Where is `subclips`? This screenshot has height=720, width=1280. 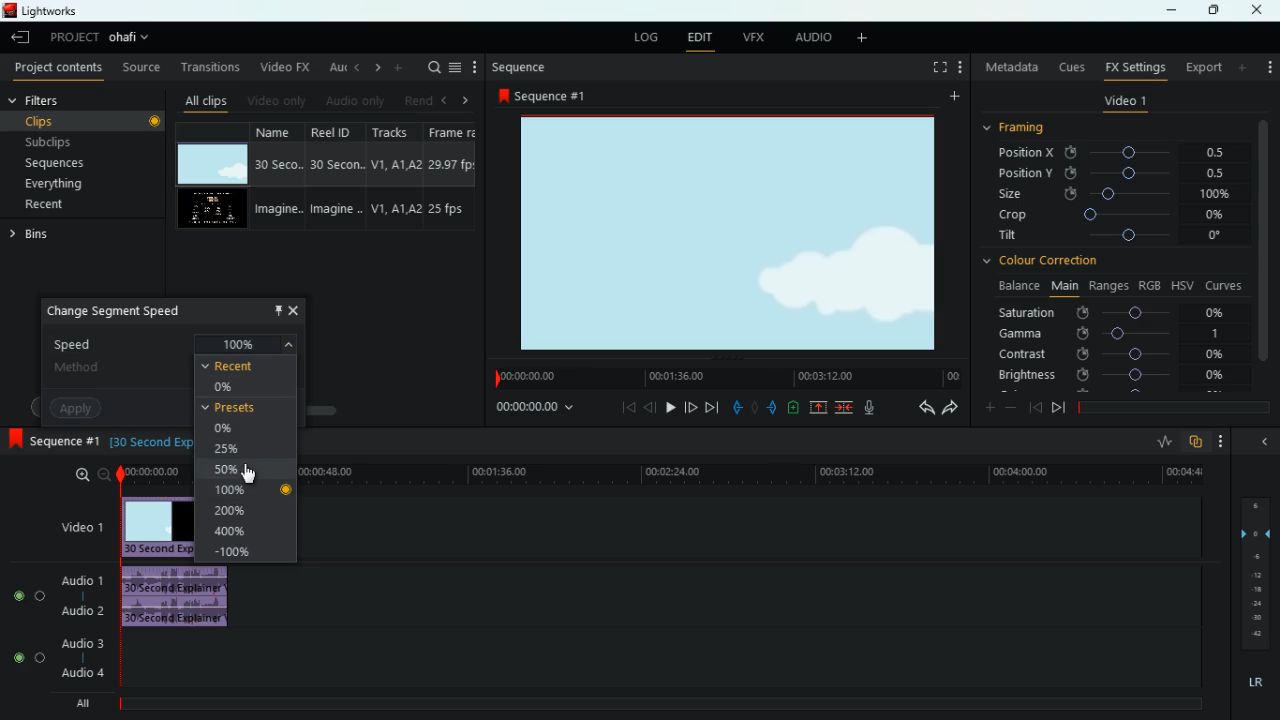
subclips is located at coordinates (78, 140).